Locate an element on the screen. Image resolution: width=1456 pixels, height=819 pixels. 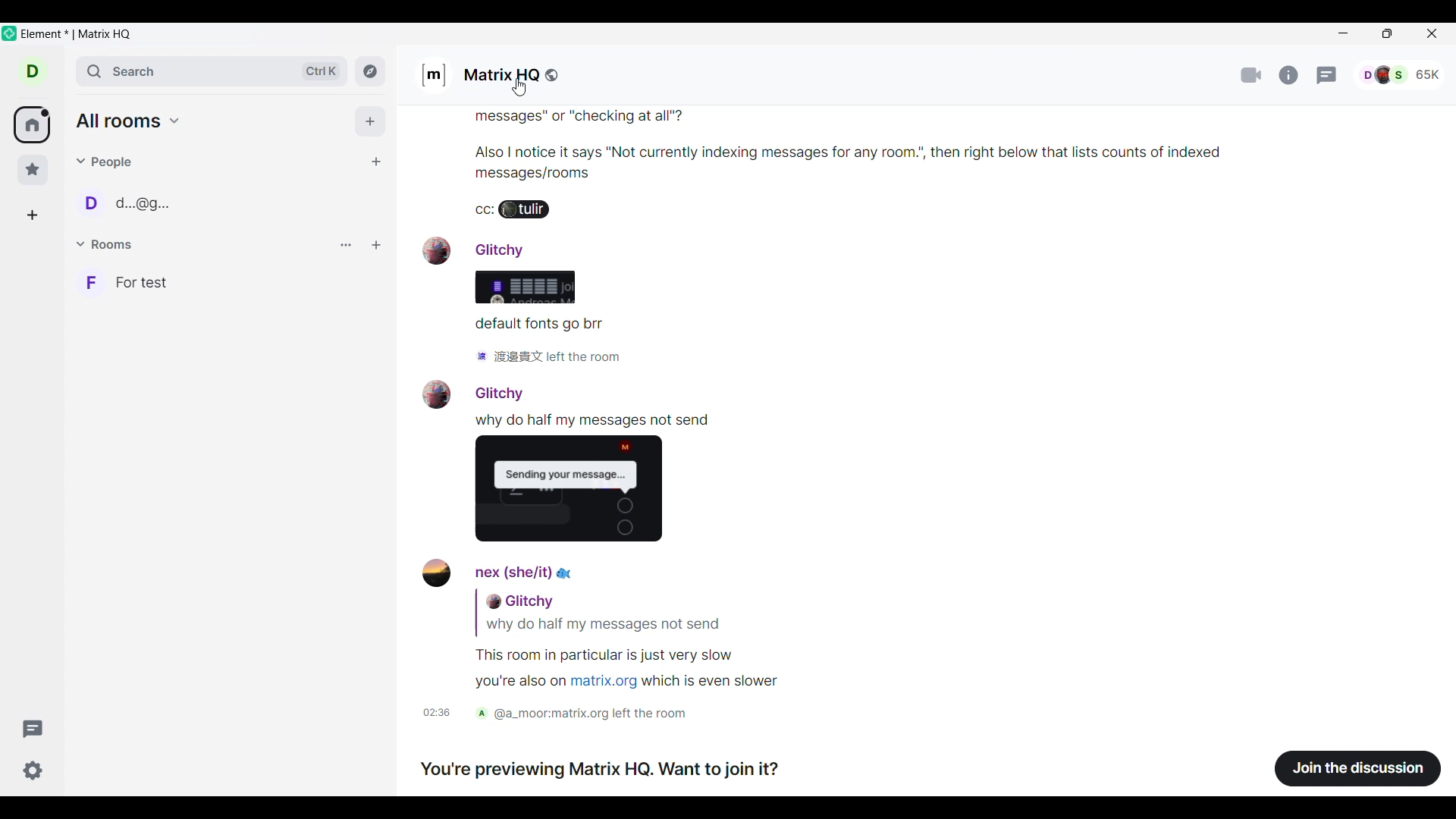
room information is located at coordinates (1291, 75).